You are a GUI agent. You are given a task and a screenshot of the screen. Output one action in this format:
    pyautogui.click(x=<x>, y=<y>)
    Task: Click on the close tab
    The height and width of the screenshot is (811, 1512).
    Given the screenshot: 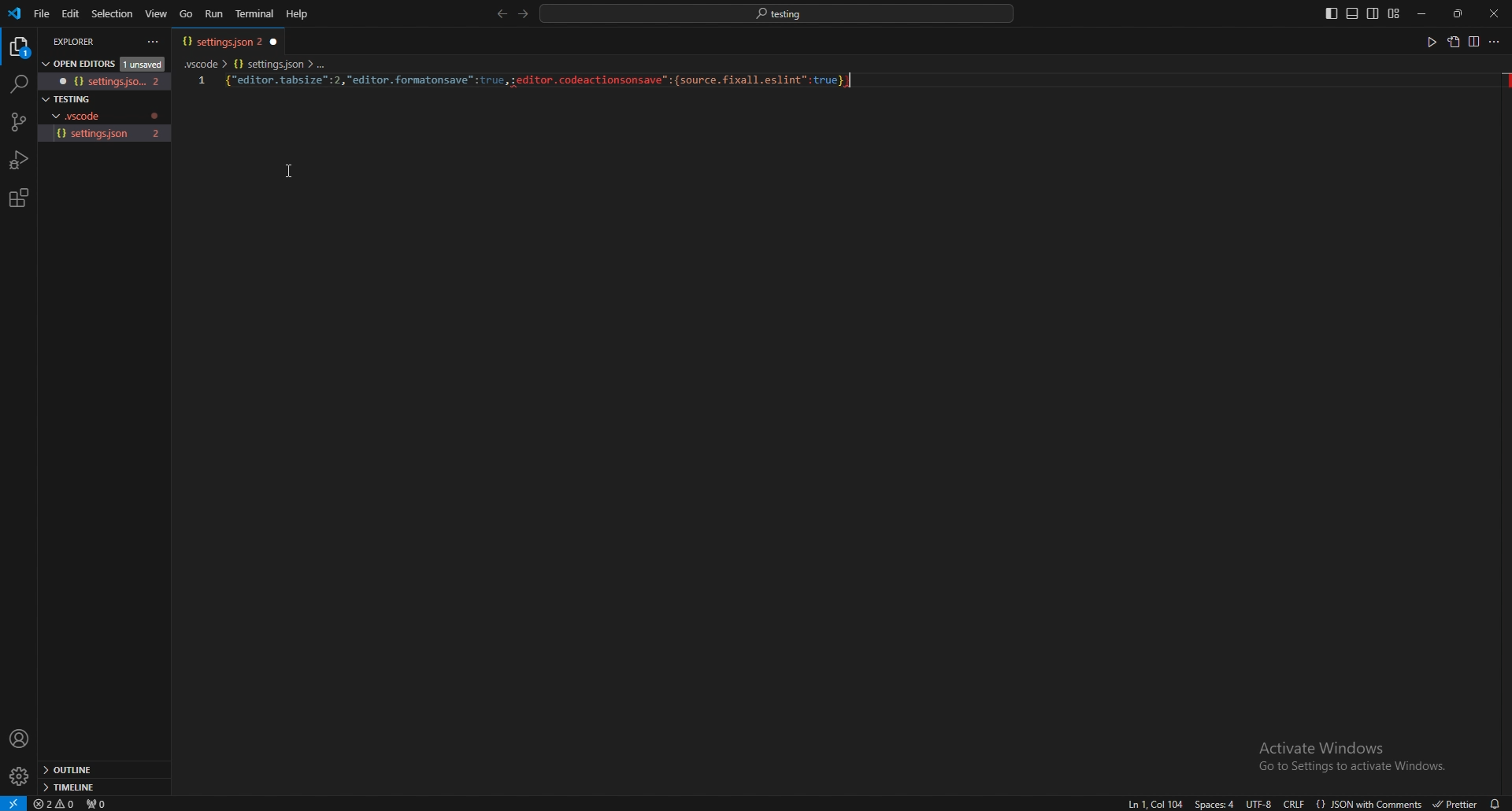 What is the action you would take?
    pyautogui.click(x=283, y=43)
    